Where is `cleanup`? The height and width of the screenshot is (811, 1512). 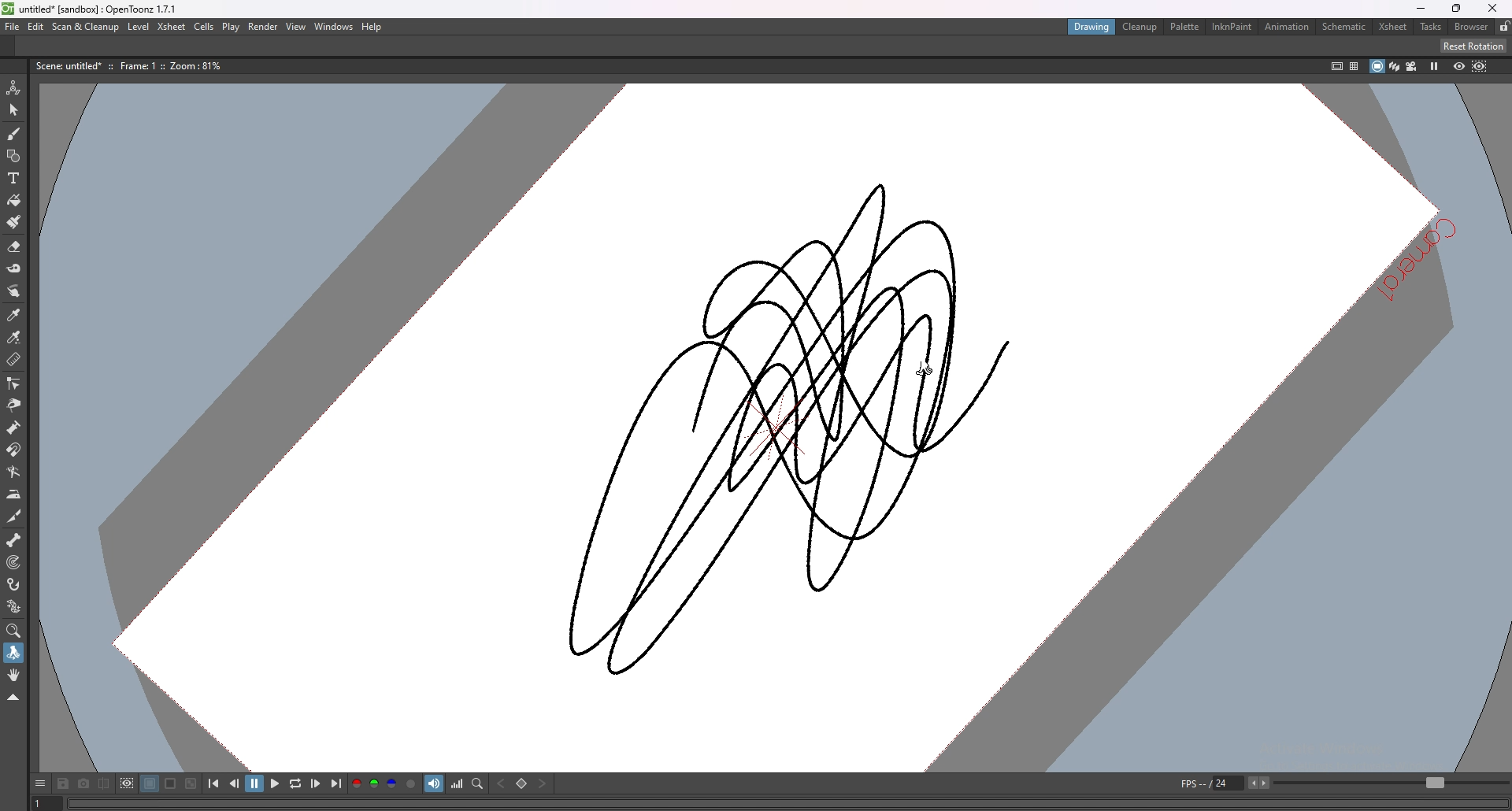 cleanup is located at coordinates (1140, 26).